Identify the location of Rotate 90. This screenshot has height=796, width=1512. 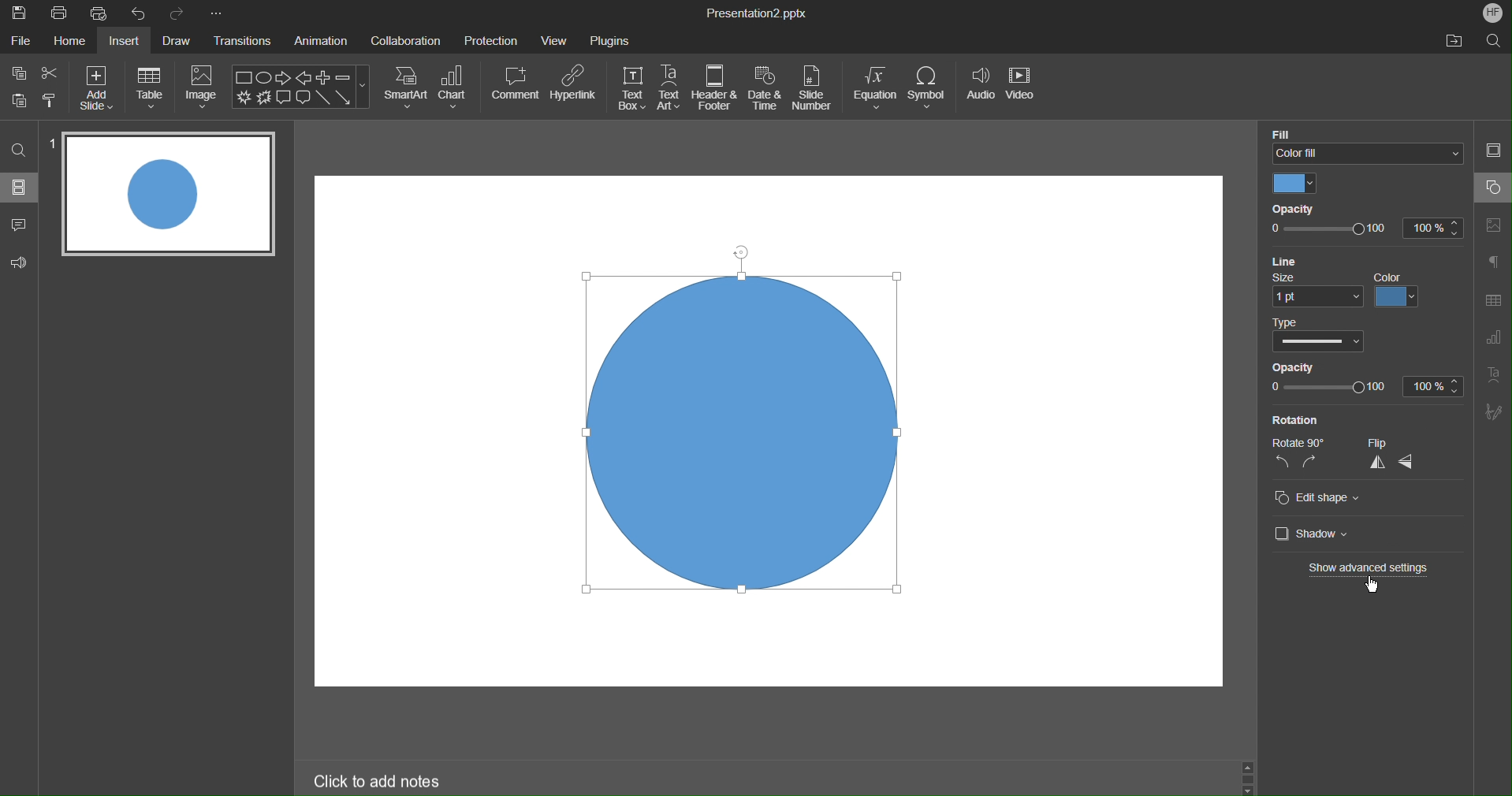
(1295, 442).